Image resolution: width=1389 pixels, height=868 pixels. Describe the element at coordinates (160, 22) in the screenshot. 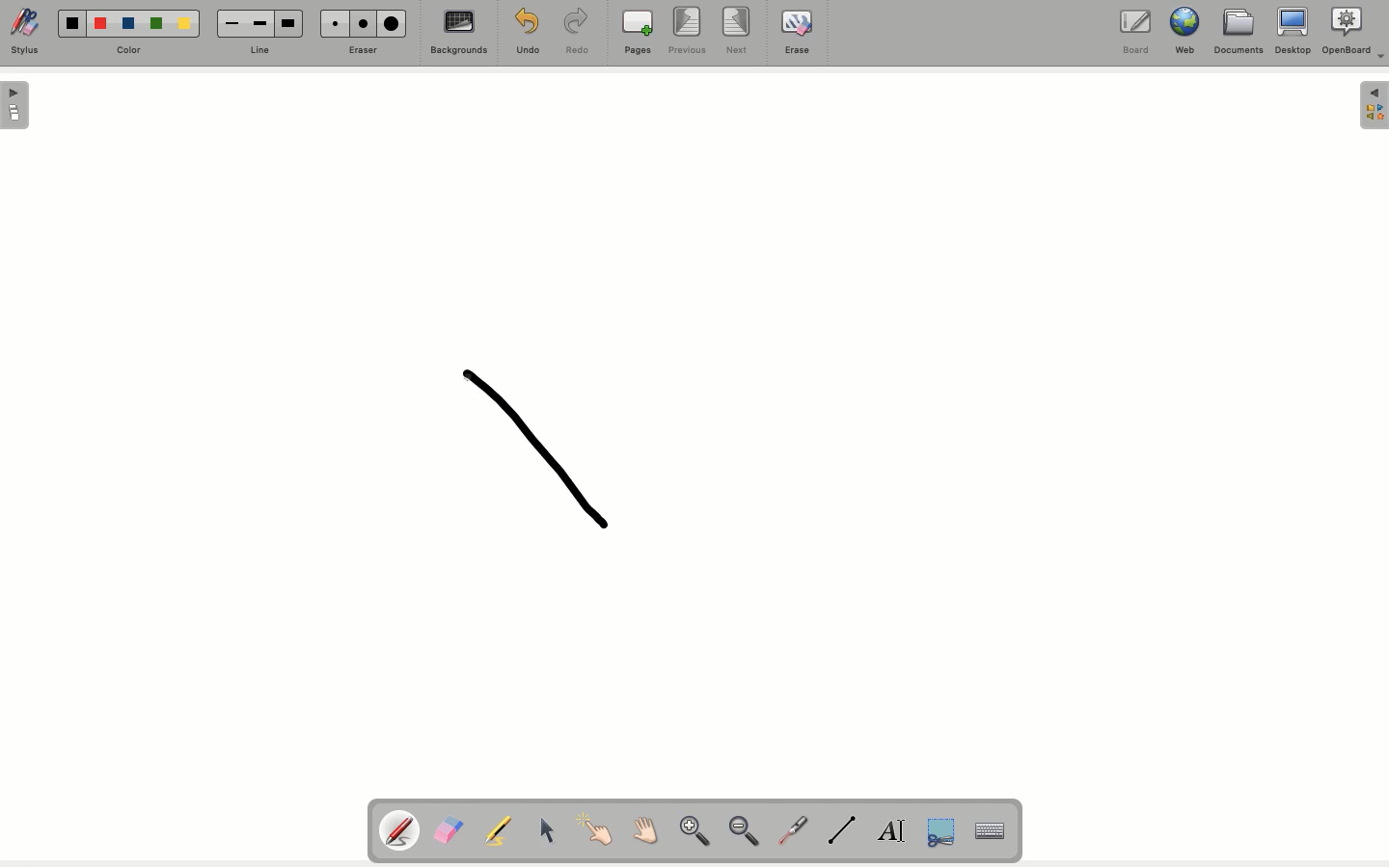

I see `Green` at that location.